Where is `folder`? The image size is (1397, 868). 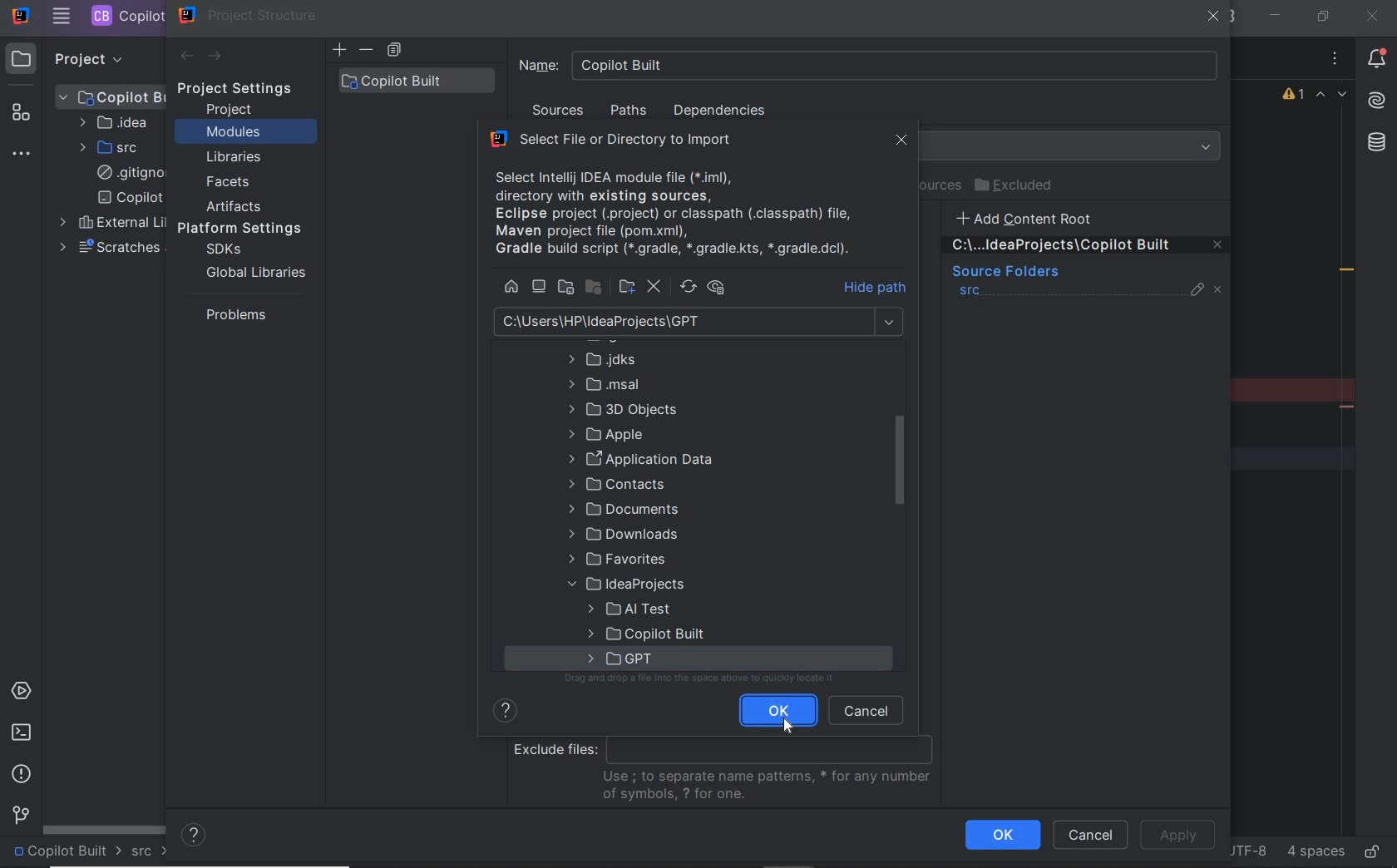
folder is located at coordinates (645, 632).